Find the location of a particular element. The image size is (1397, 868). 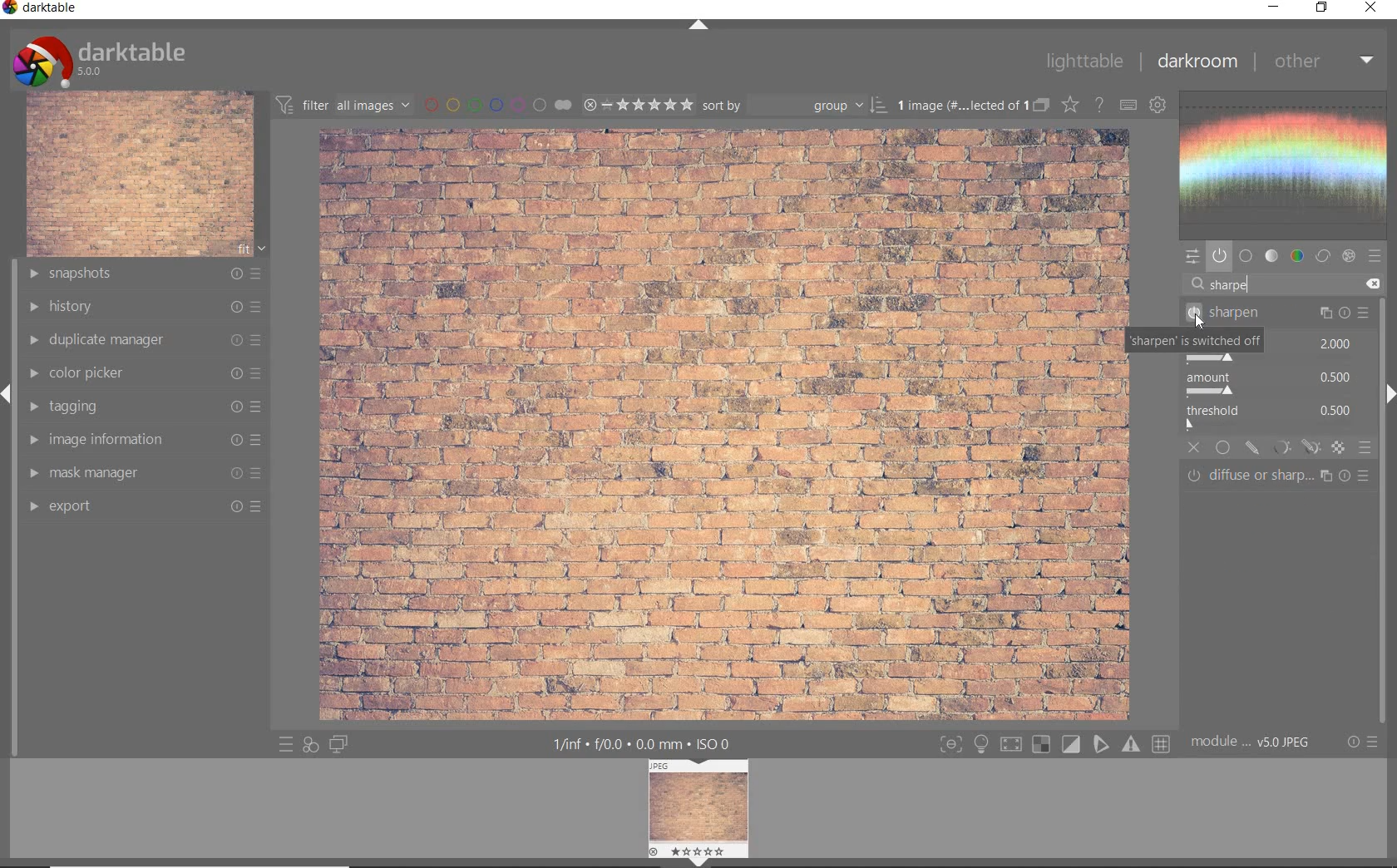

selected image range rating is located at coordinates (638, 105).